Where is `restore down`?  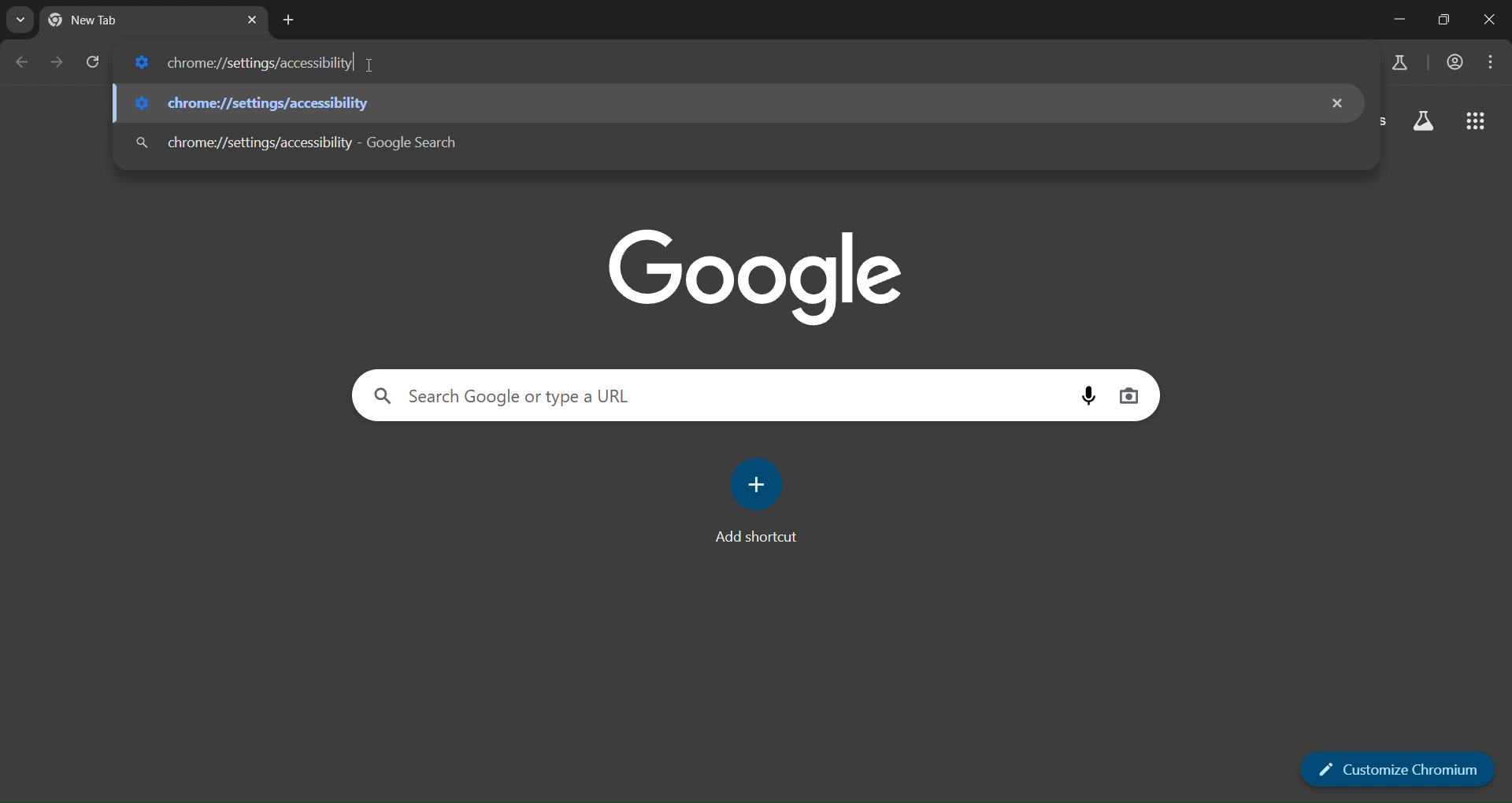 restore down is located at coordinates (1442, 19).